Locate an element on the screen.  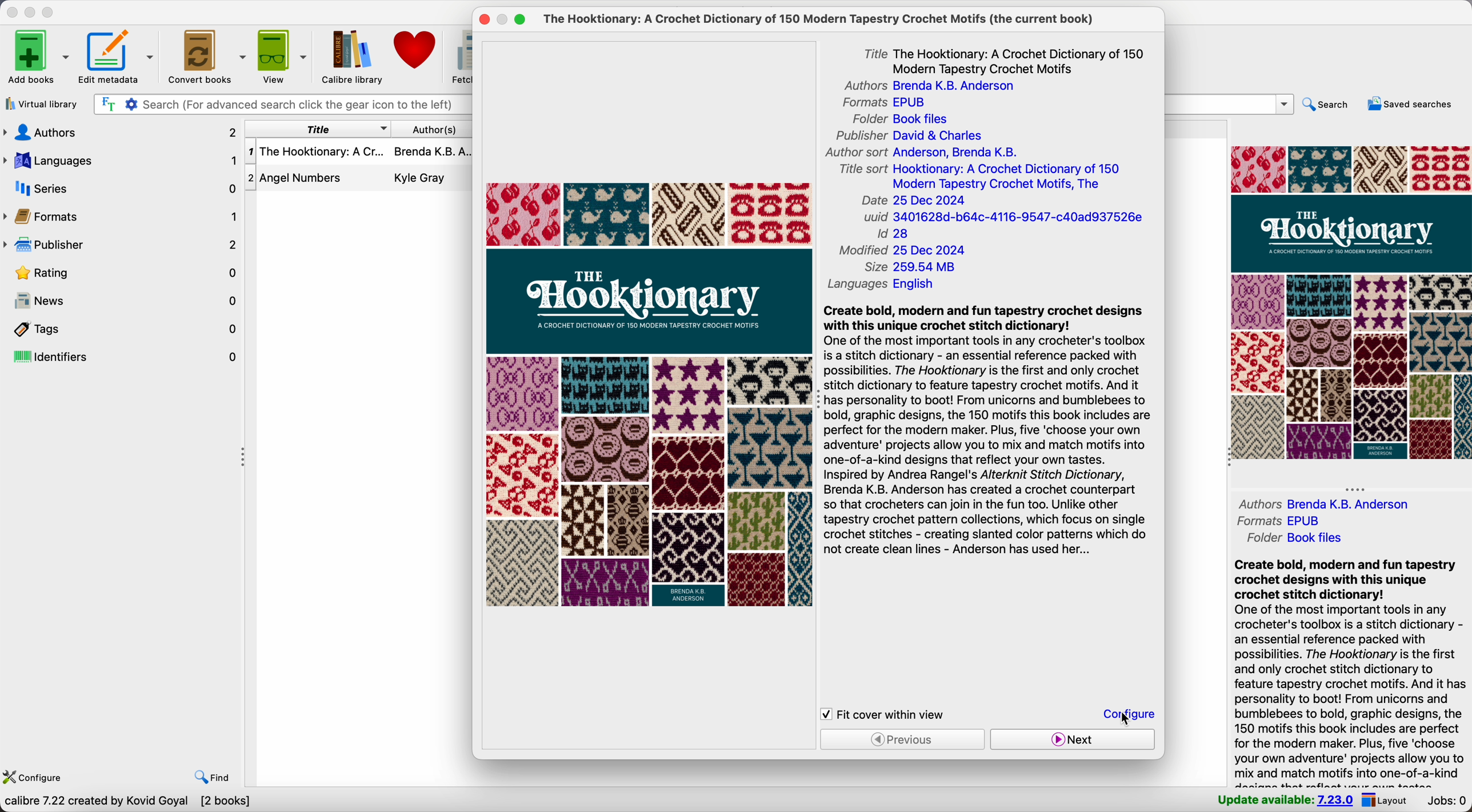
book cover preview is located at coordinates (650, 395).